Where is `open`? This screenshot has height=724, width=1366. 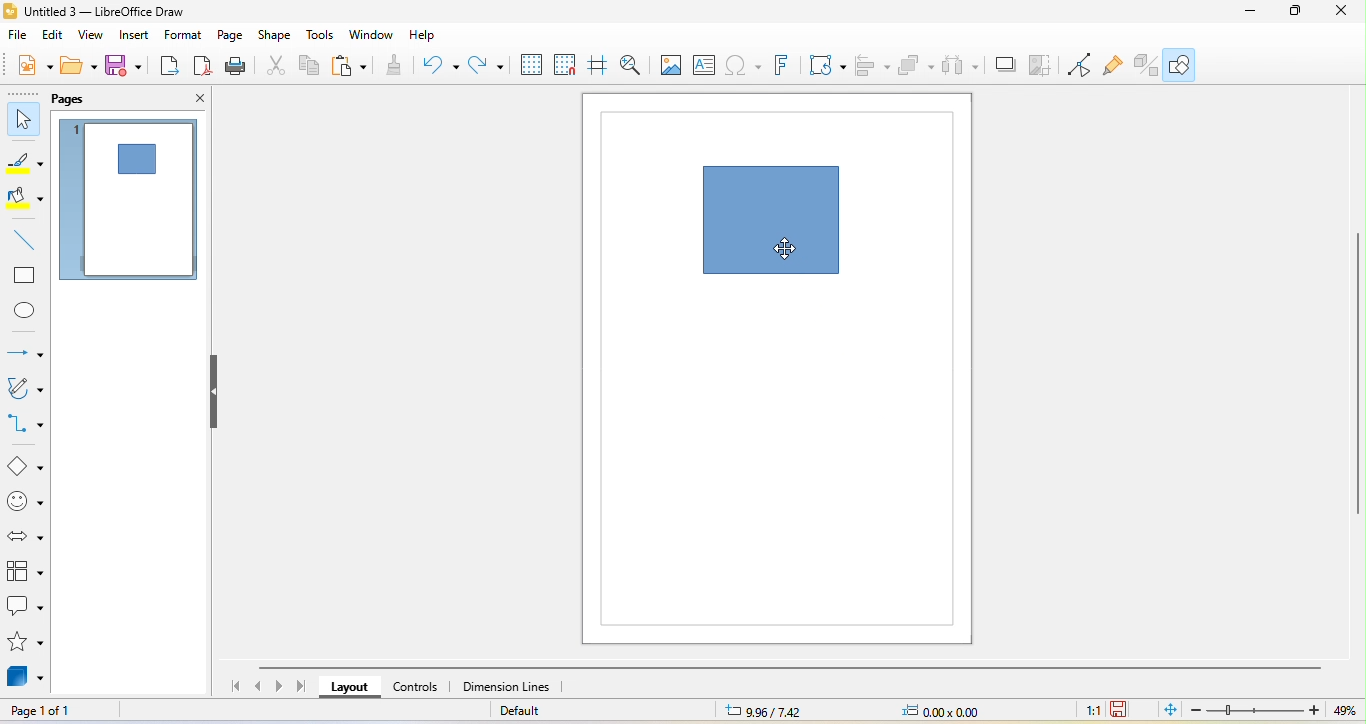
open is located at coordinates (80, 69).